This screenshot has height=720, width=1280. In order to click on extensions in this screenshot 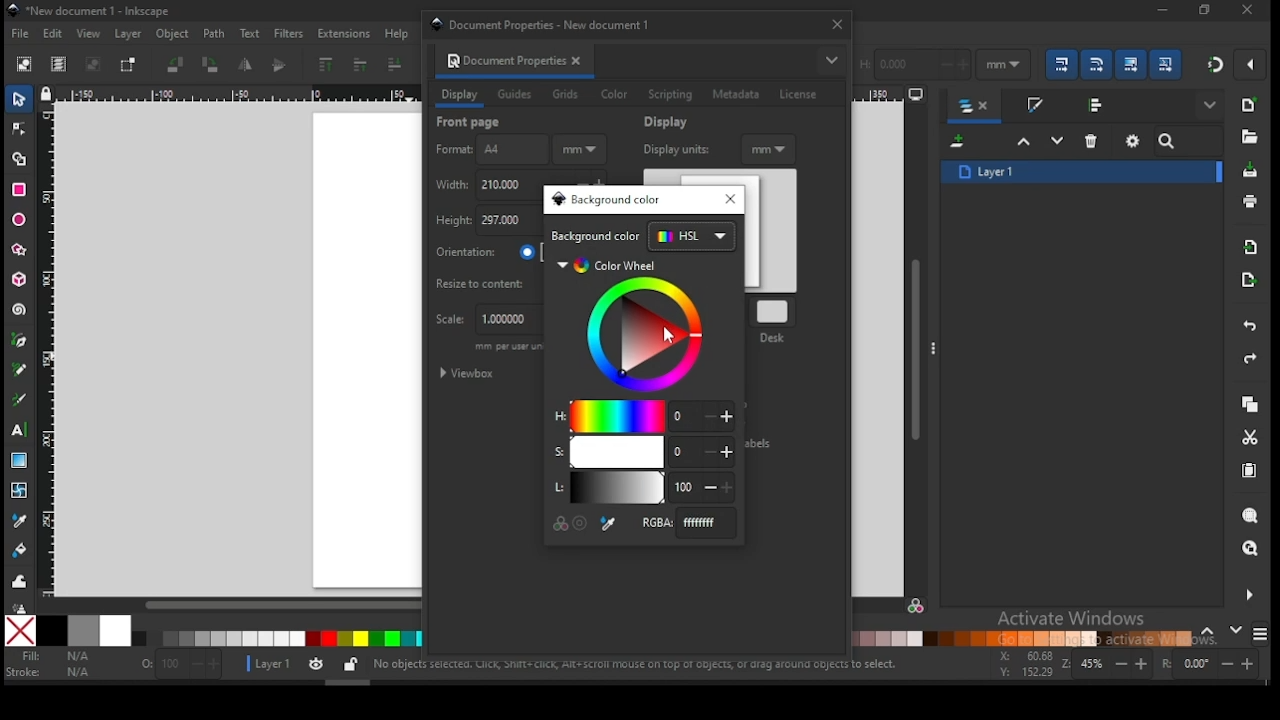, I will do `click(344, 34)`.